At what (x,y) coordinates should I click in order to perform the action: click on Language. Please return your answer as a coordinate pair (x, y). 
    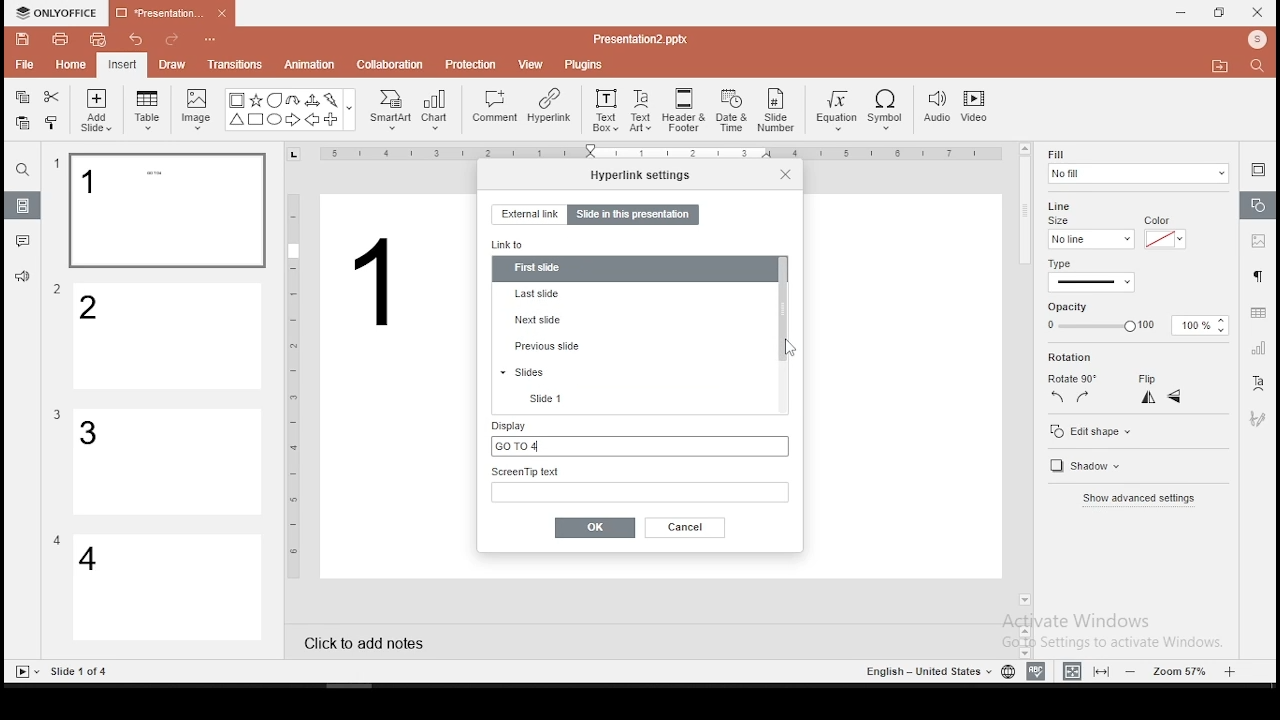
    Looking at the image, I should click on (925, 672).